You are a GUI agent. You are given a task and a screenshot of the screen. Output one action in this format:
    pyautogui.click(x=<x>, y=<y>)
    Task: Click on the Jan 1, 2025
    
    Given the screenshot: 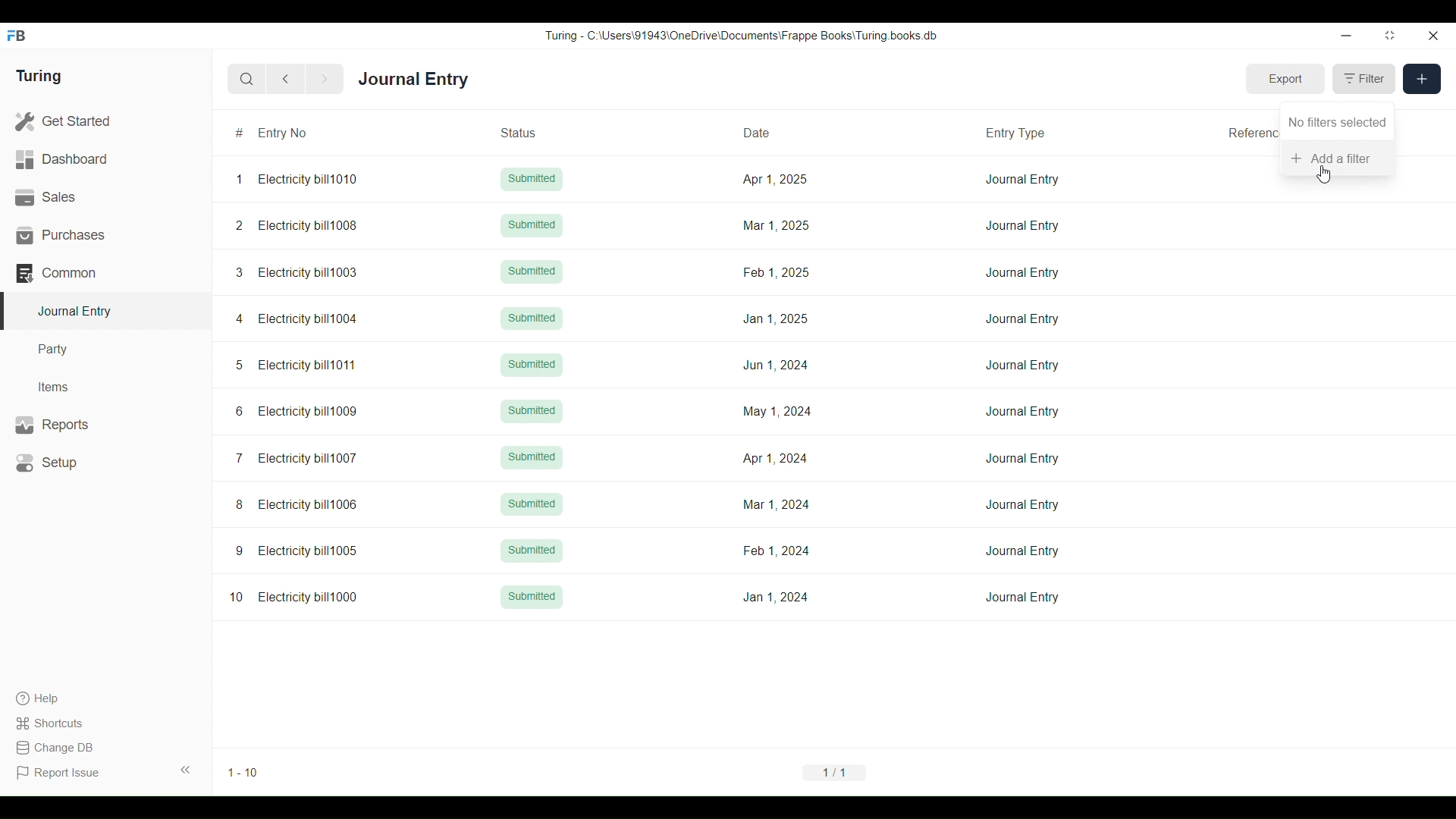 What is the action you would take?
    pyautogui.click(x=776, y=318)
    